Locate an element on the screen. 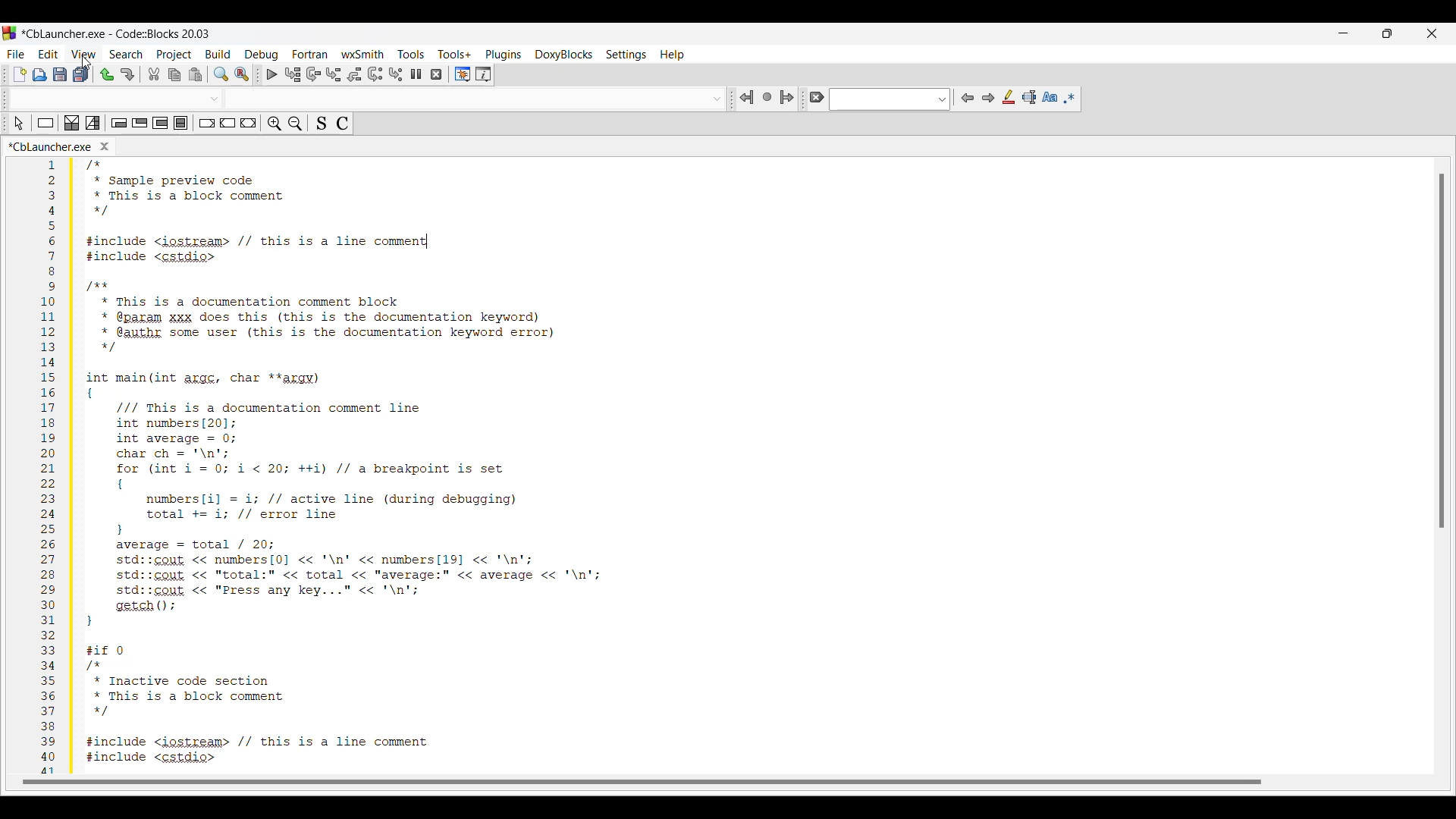 This screenshot has width=1456, height=819. Horizontal slide bar is located at coordinates (643, 782).